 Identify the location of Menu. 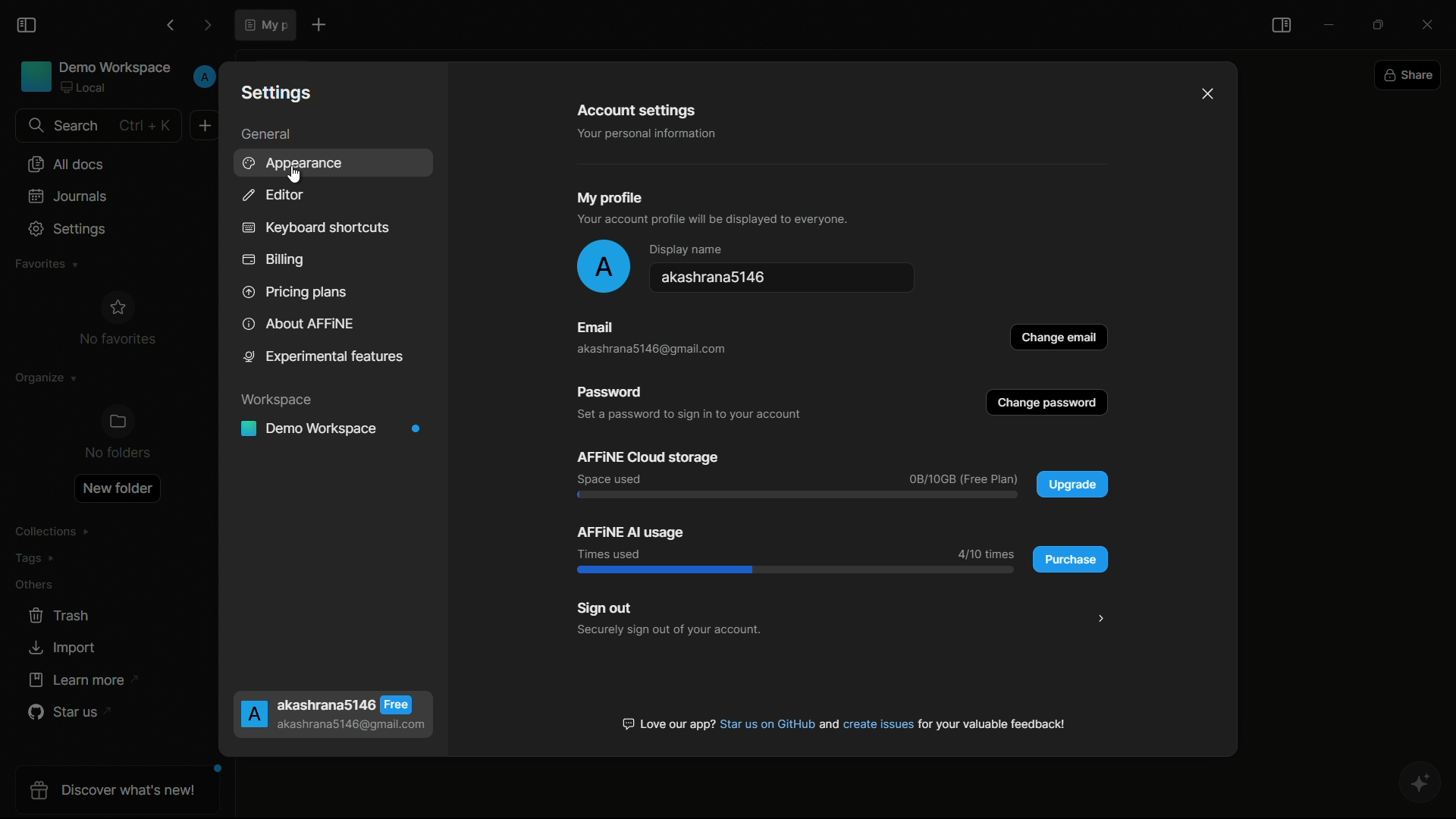
(1099, 617).